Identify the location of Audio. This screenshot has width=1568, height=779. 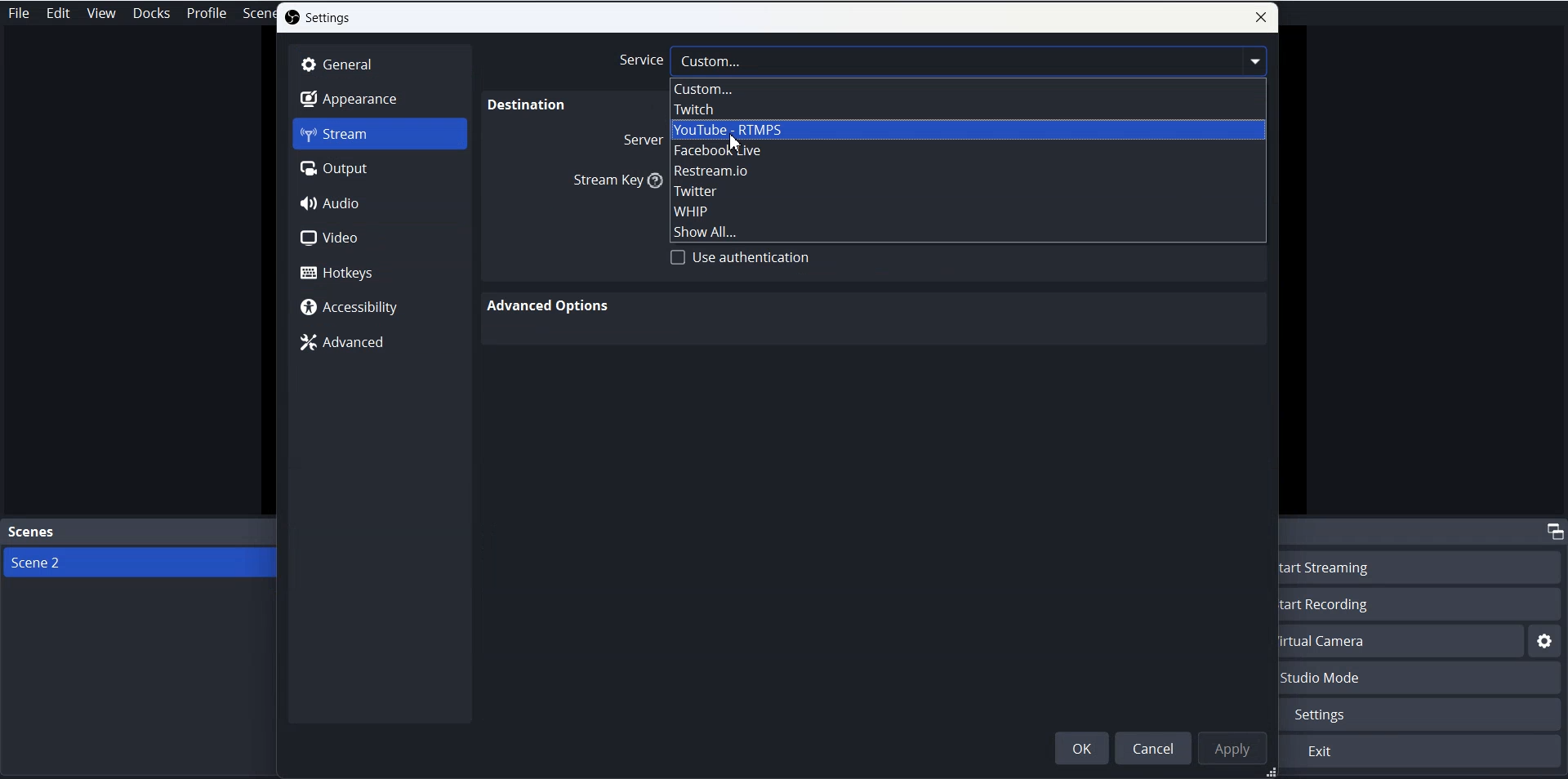
(377, 203).